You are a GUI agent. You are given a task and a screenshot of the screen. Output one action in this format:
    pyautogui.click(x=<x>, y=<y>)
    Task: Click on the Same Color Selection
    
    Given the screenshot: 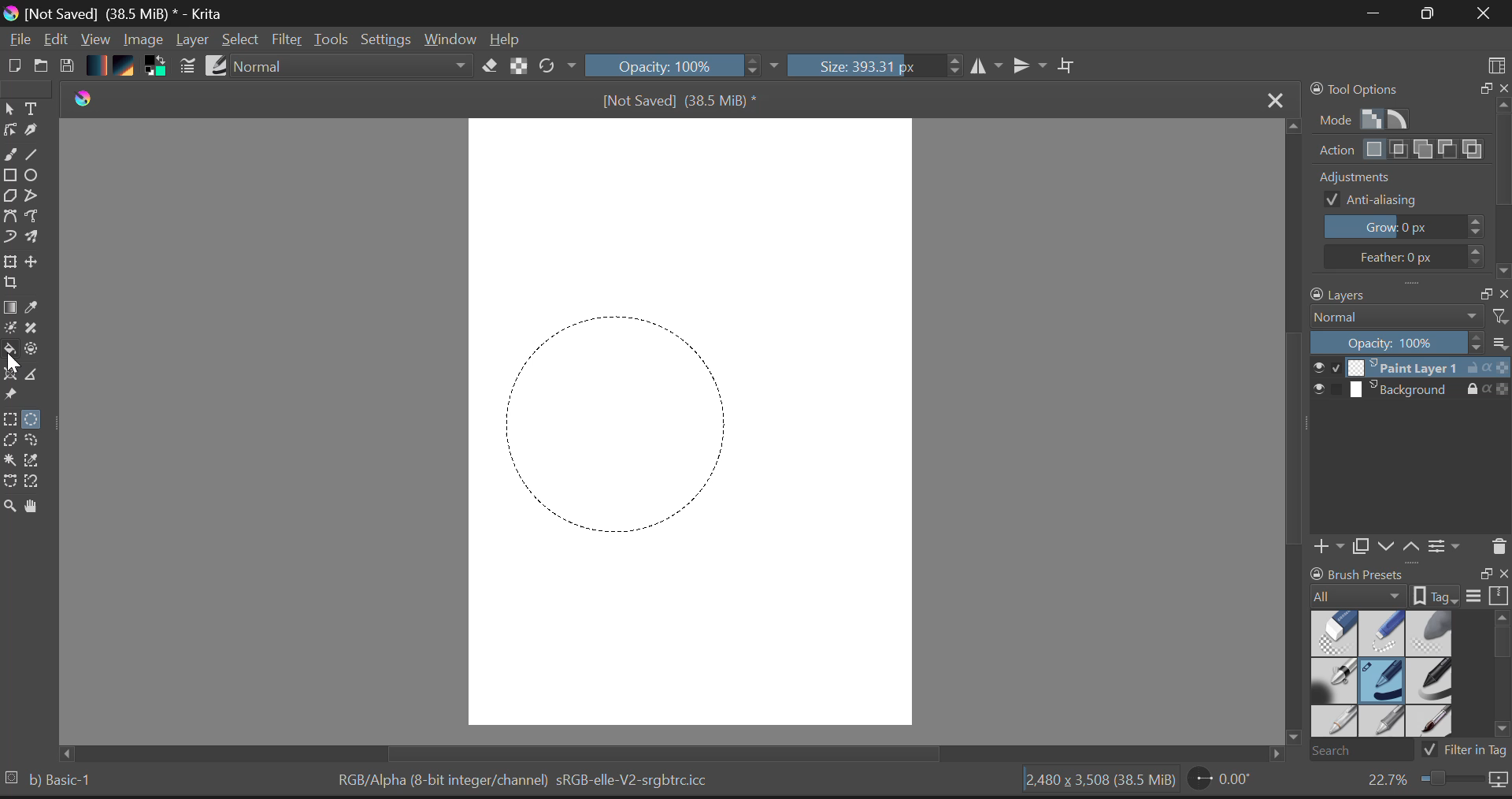 What is the action you would take?
    pyautogui.click(x=37, y=463)
    